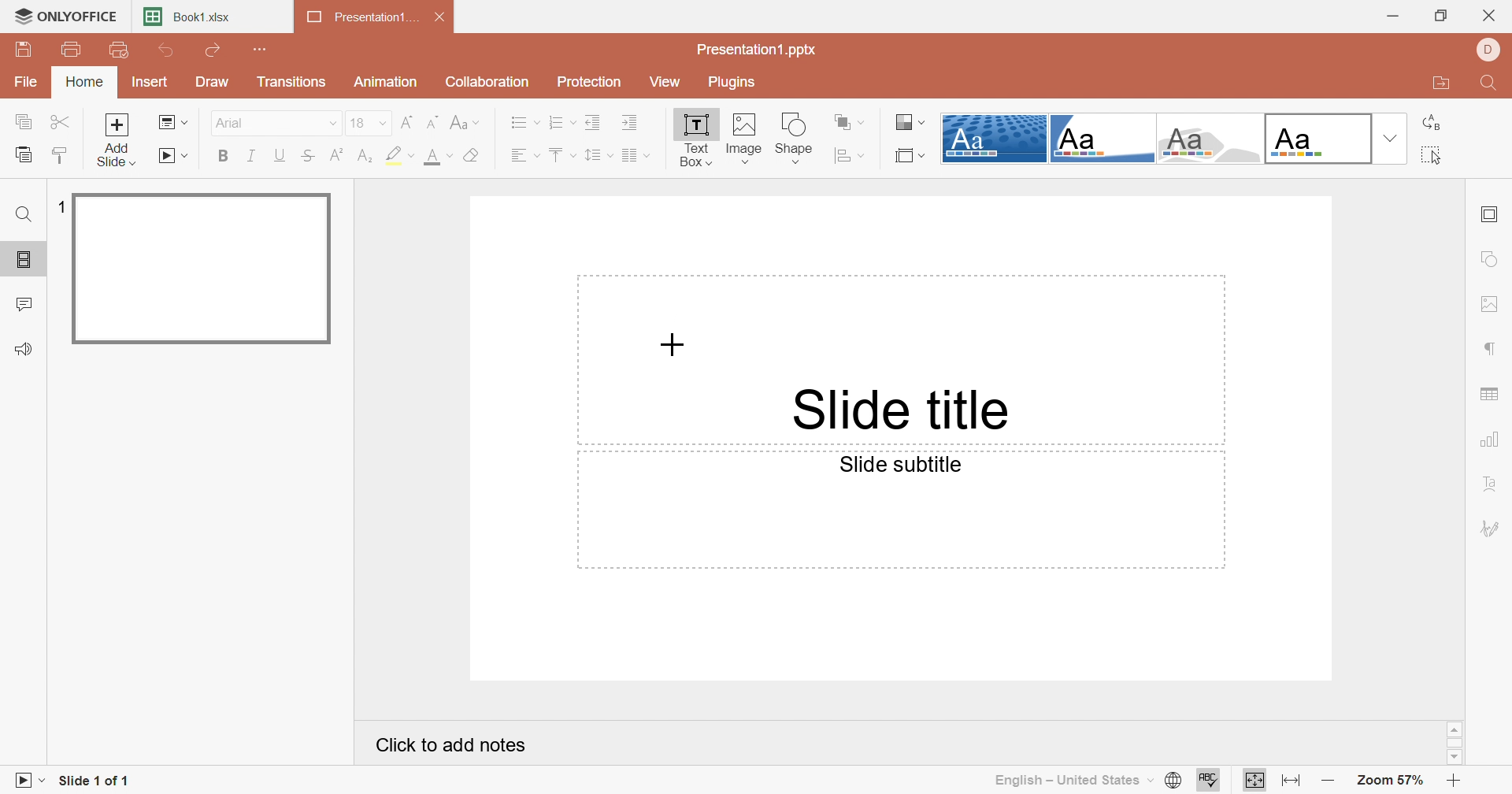 The image size is (1512, 794). What do you see at coordinates (1492, 486) in the screenshot?
I see `Text art settings` at bounding box center [1492, 486].